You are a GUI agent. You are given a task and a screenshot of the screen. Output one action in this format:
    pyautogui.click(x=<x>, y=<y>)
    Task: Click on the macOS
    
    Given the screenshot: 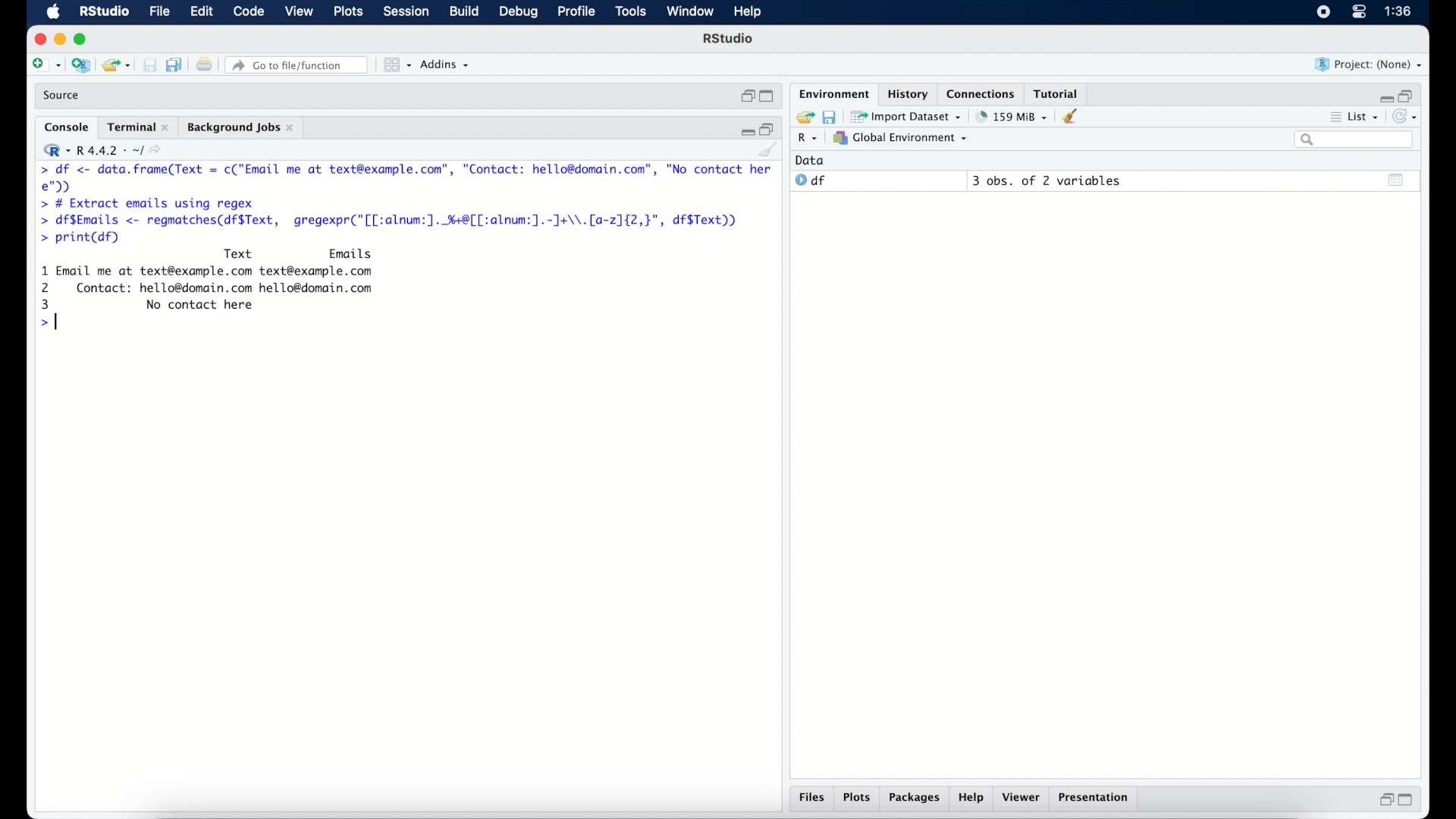 What is the action you would take?
    pyautogui.click(x=52, y=12)
    